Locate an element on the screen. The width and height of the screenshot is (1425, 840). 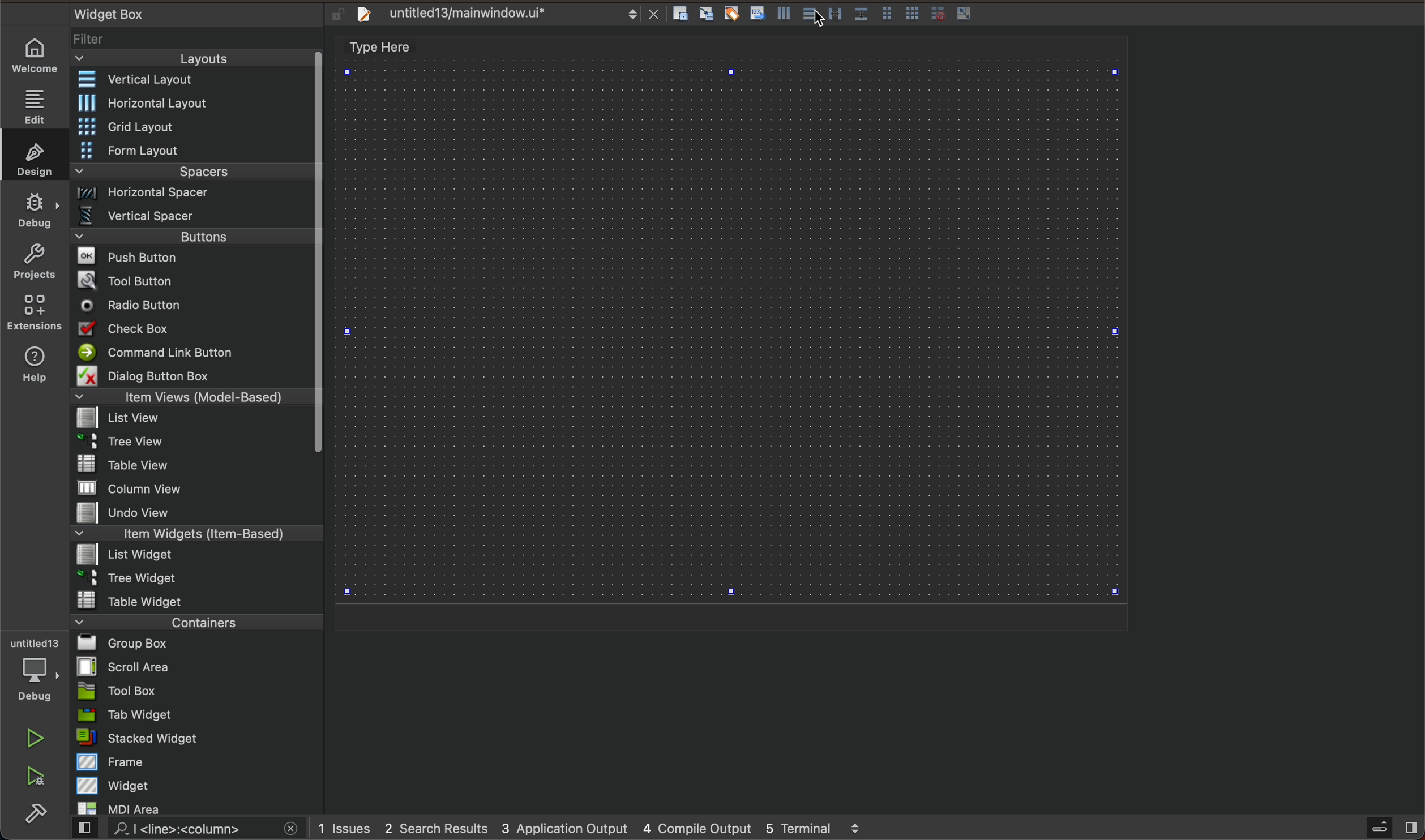
 is located at coordinates (707, 13).